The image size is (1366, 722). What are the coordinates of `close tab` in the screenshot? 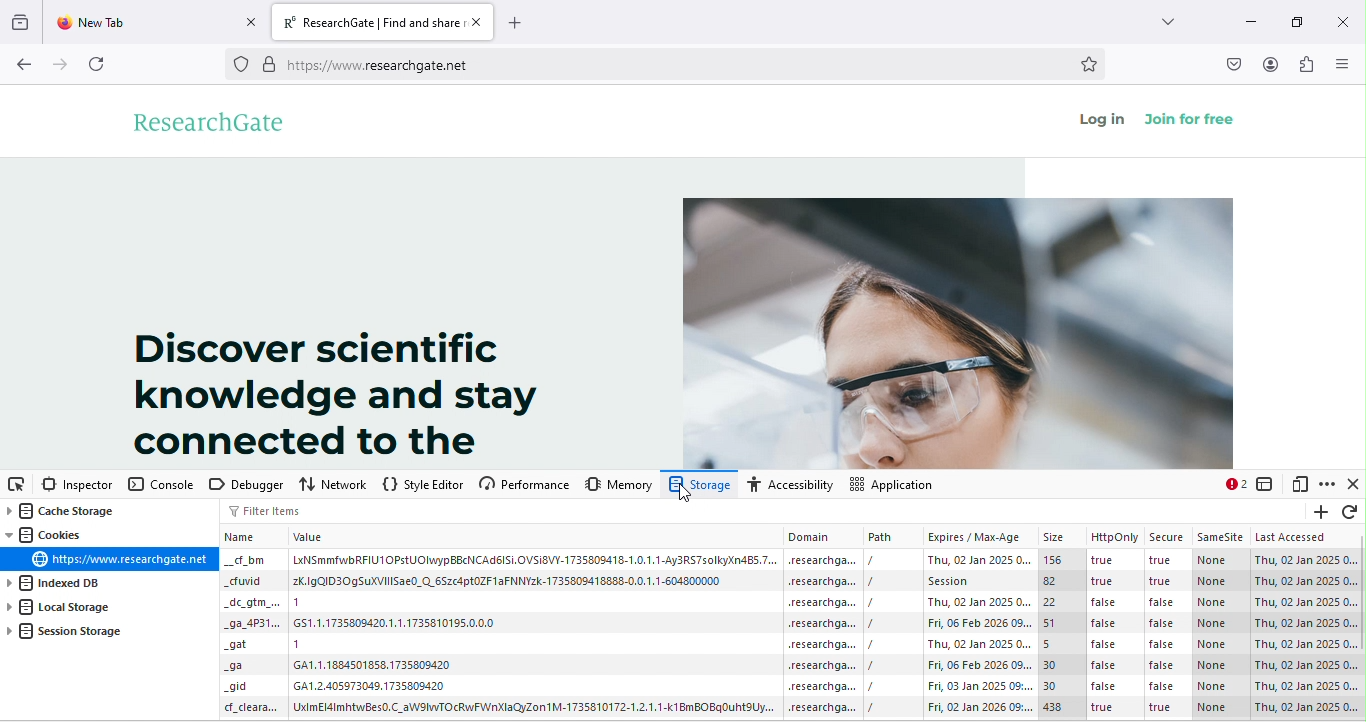 It's located at (478, 21).